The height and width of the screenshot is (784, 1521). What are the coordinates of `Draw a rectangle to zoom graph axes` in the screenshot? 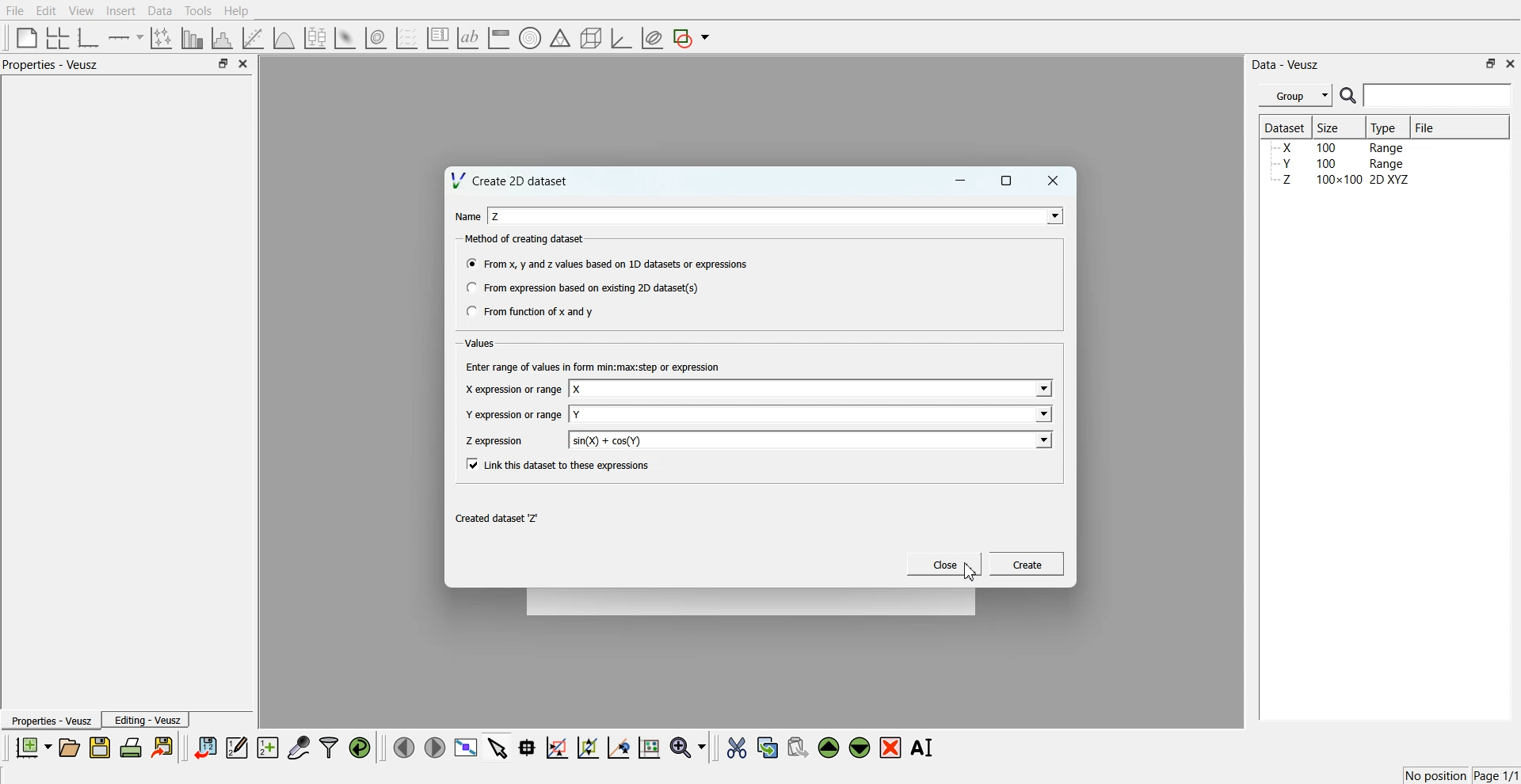 It's located at (556, 748).